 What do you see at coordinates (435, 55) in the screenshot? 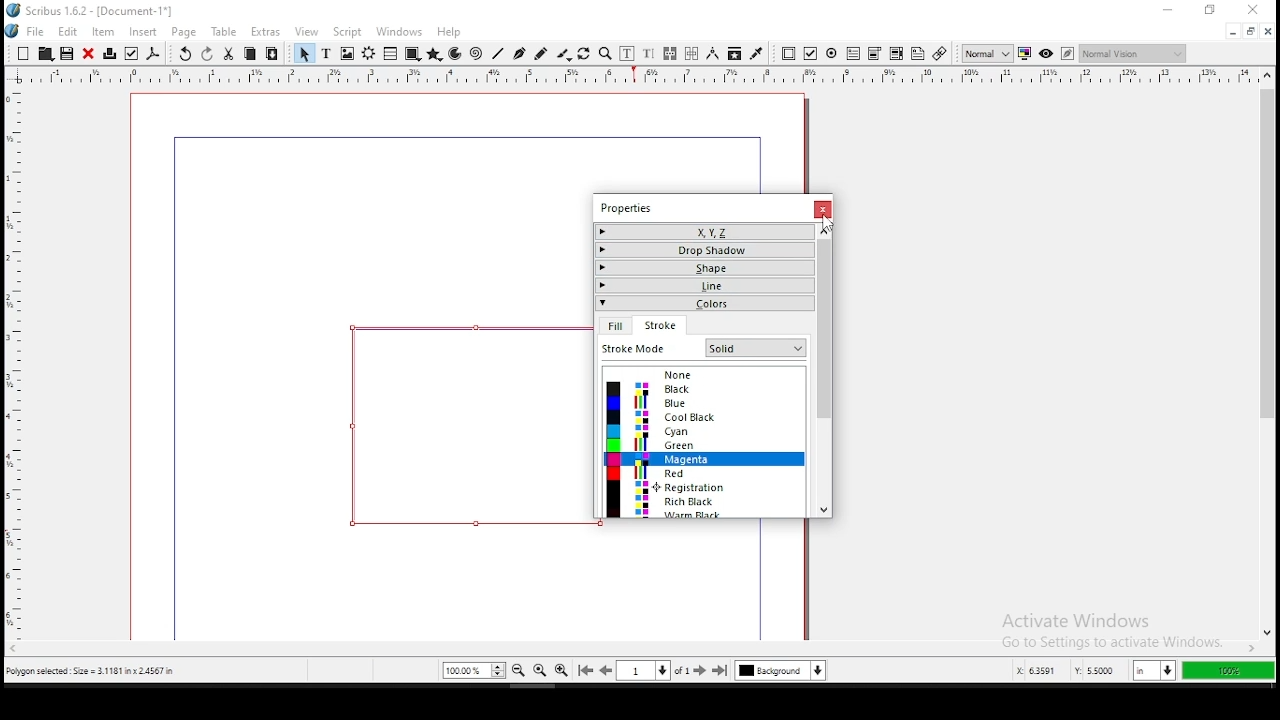
I see `polygon` at bounding box center [435, 55].